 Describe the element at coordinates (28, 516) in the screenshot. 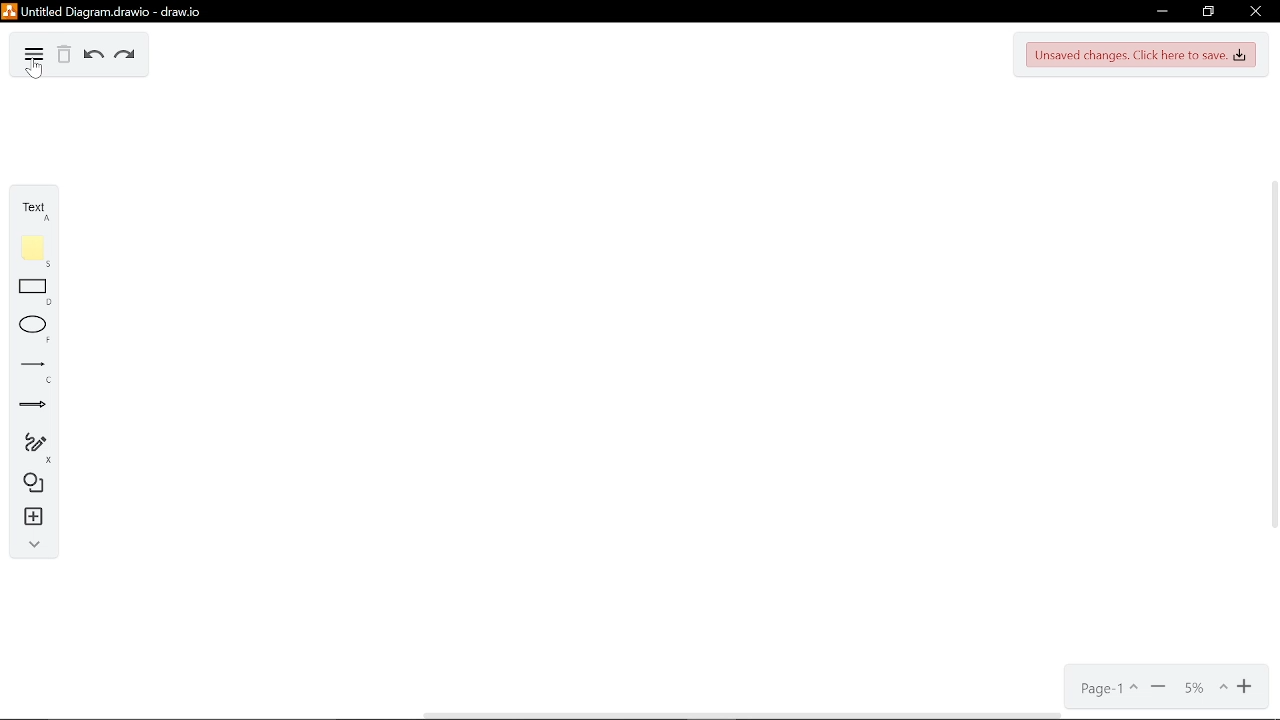

I see `Insert` at that location.